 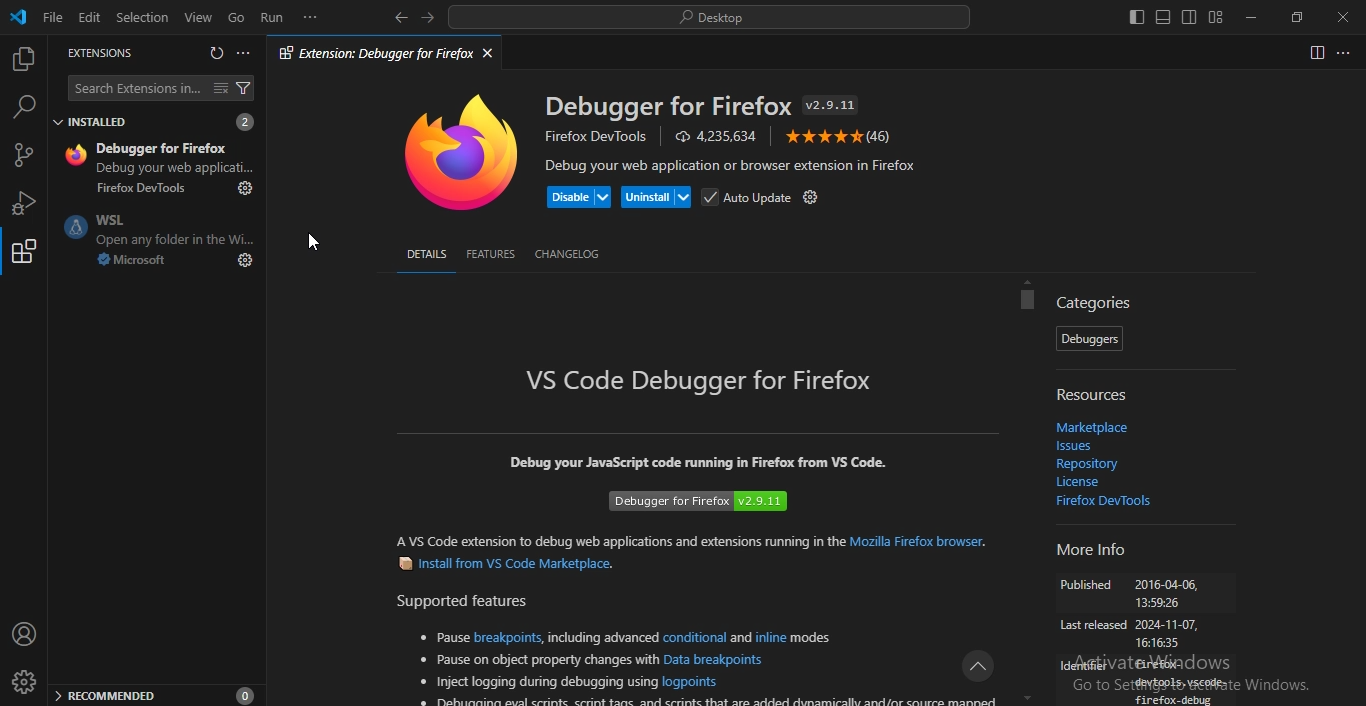 What do you see at coordinates (127, 260) in the screenshot?
I see `microsoft` at bounding box center [127, 260].